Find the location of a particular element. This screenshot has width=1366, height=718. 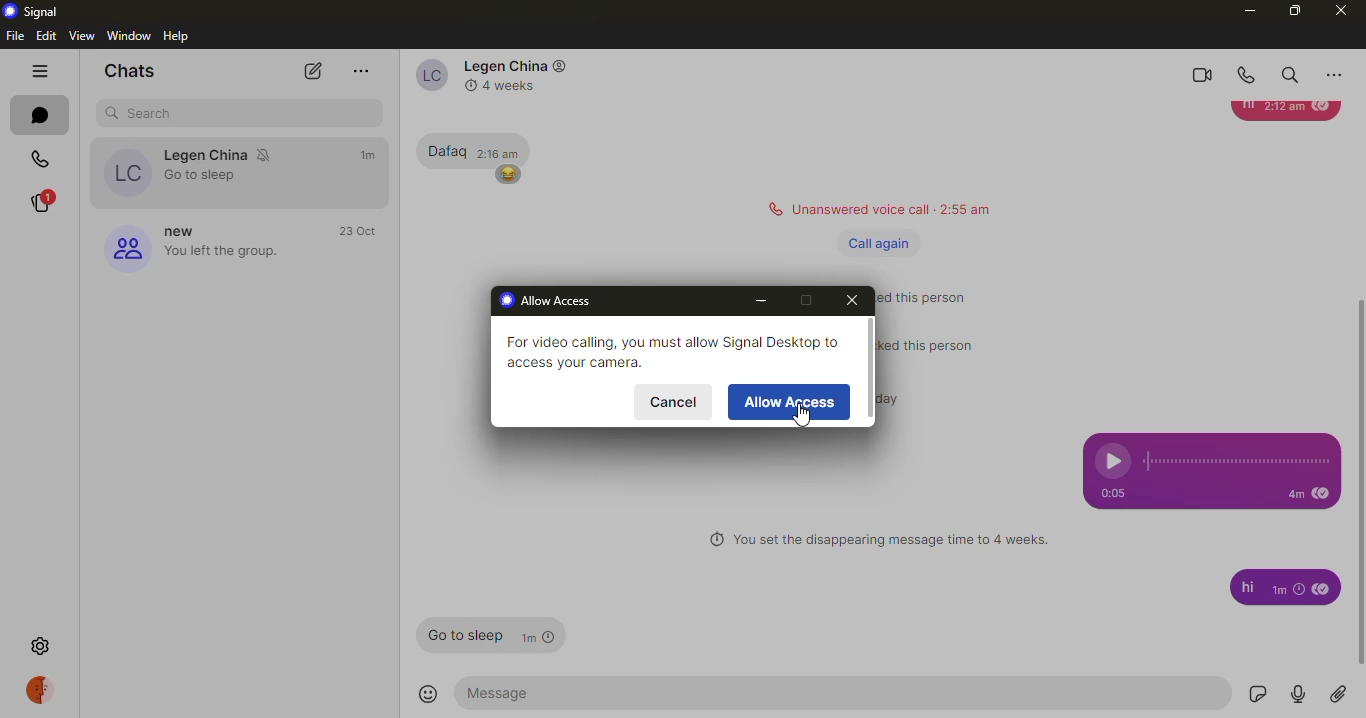

Legen China is located at coordinates (505, 66).